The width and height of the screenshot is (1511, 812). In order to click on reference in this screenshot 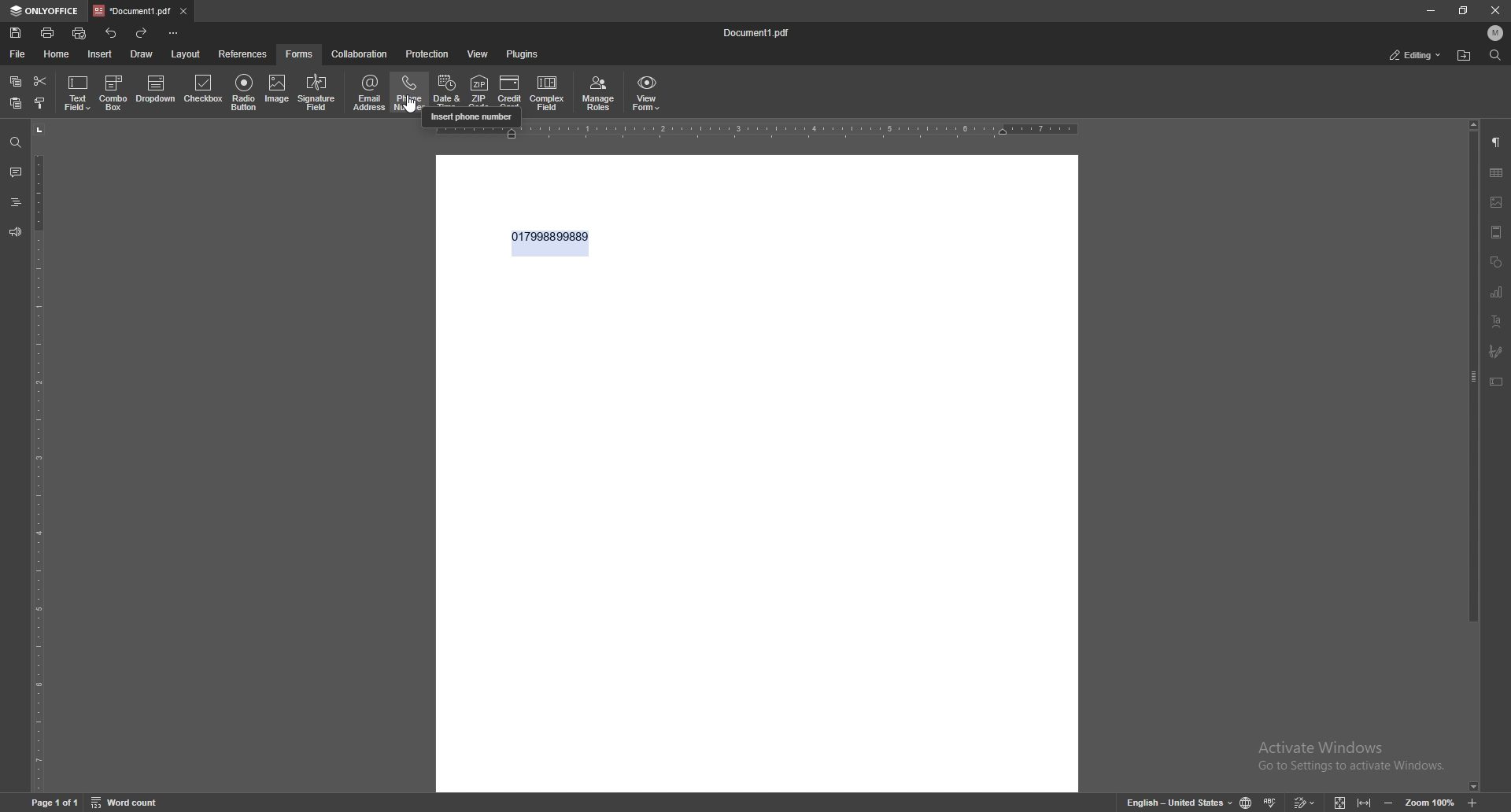, I will do `click(242, 55)`.